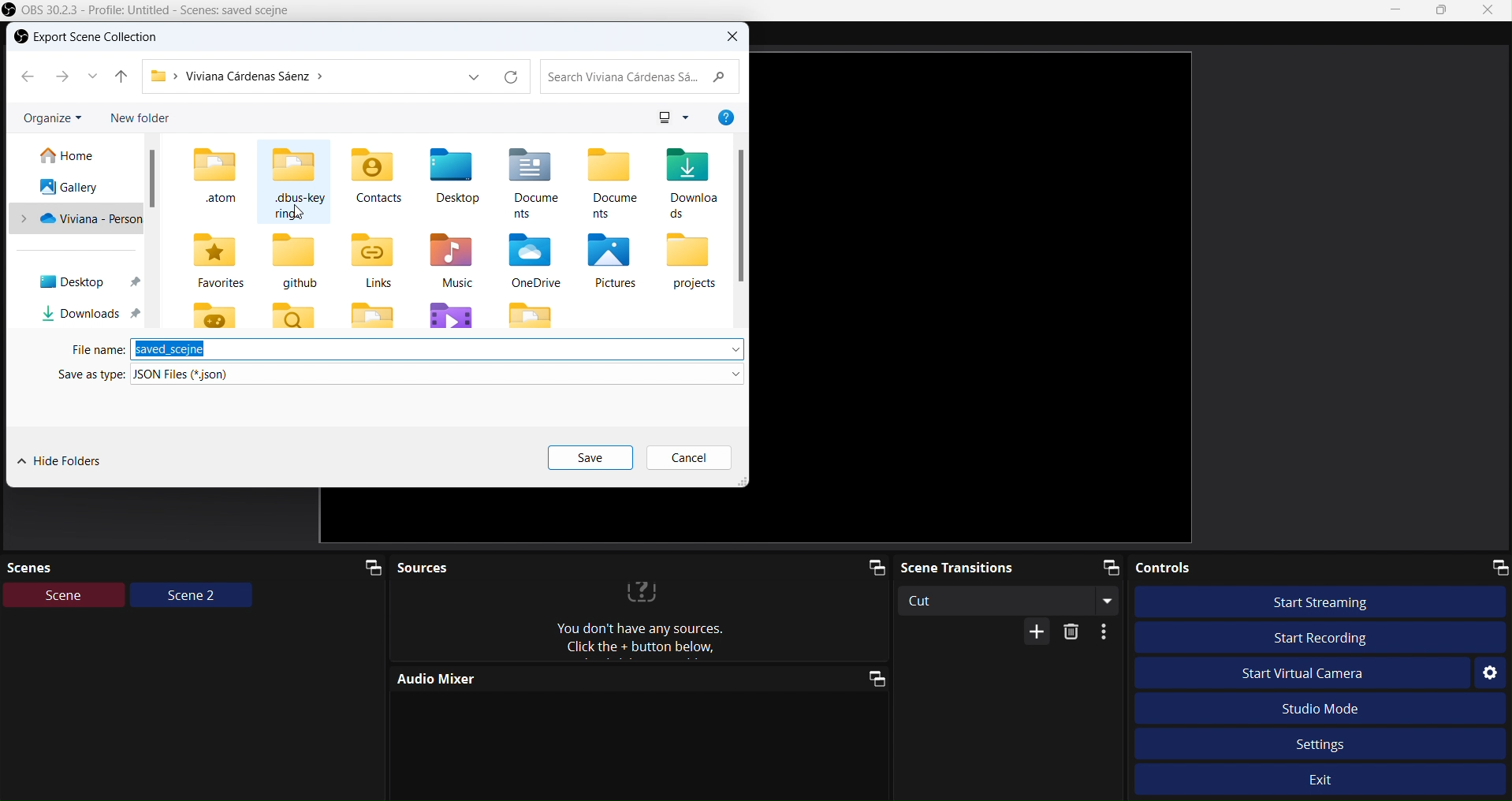 The width and height of the screenshot is (1512, 801). I want to click on recent locations, so click(91, 75).